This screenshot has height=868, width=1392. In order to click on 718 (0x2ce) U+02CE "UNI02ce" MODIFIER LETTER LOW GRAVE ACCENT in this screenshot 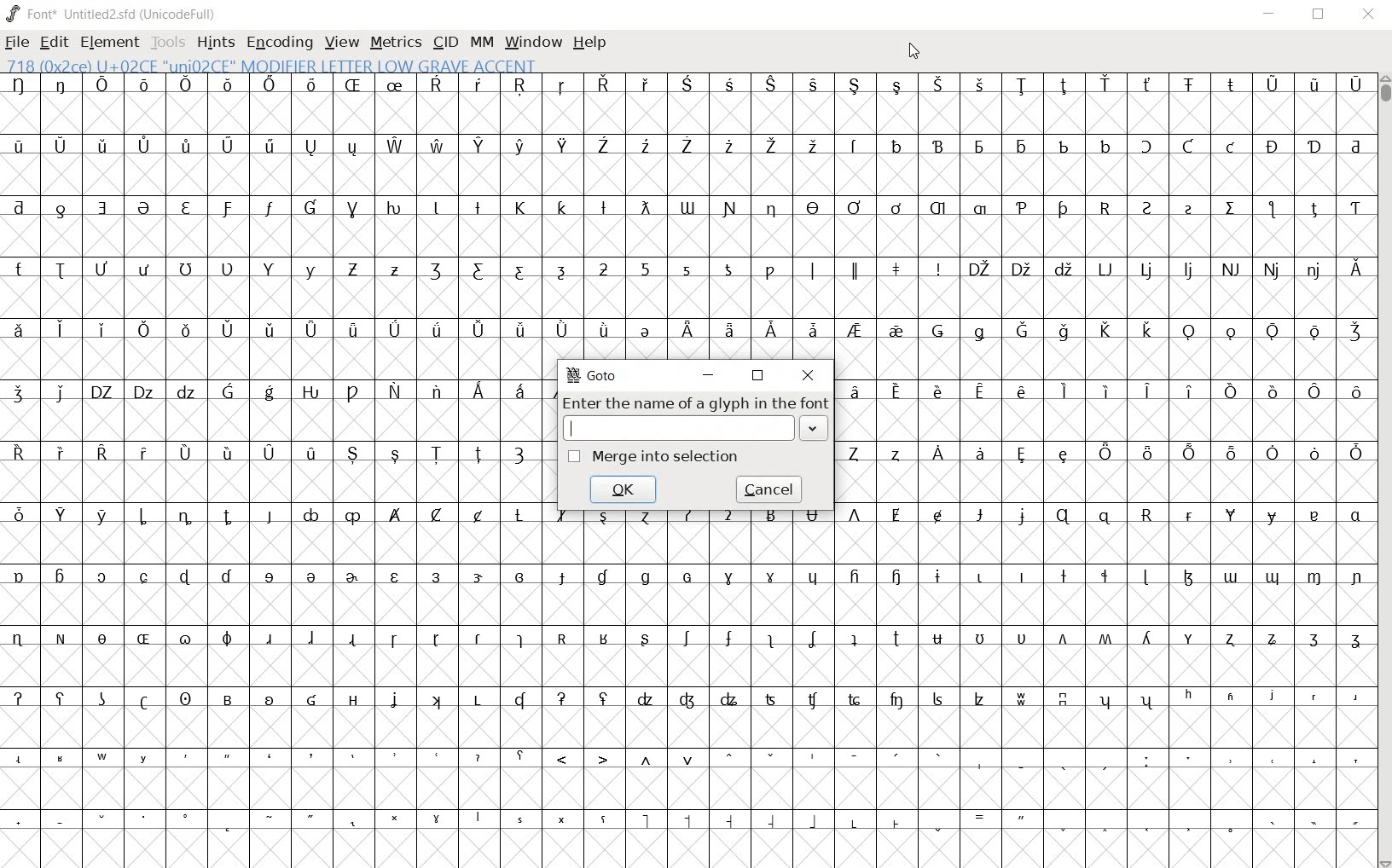, I will do `click(274, 66)`.